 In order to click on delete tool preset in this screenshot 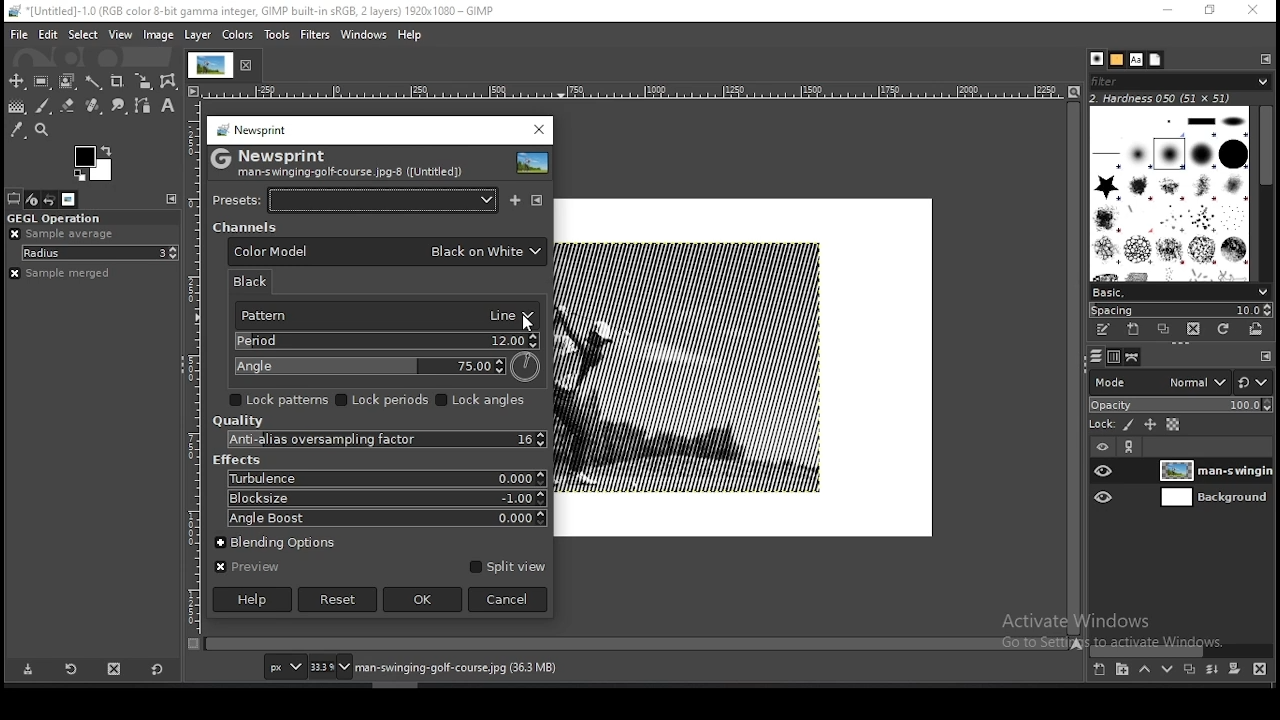, I will do `click(113, 669)`.